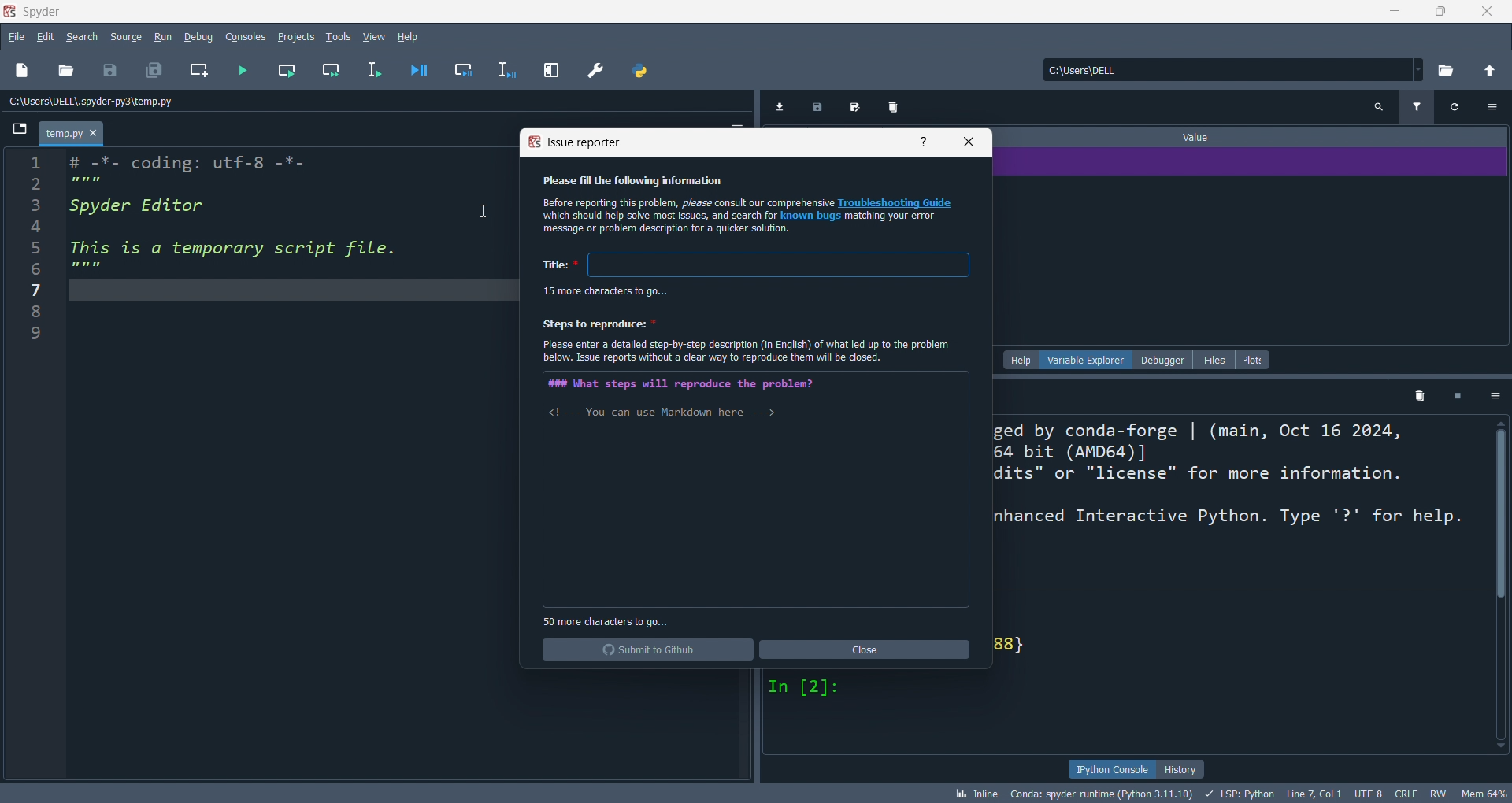  What do you see at coordinates (246, 38) in the screenshot?
I see `console` at bounding box center [246, 38].